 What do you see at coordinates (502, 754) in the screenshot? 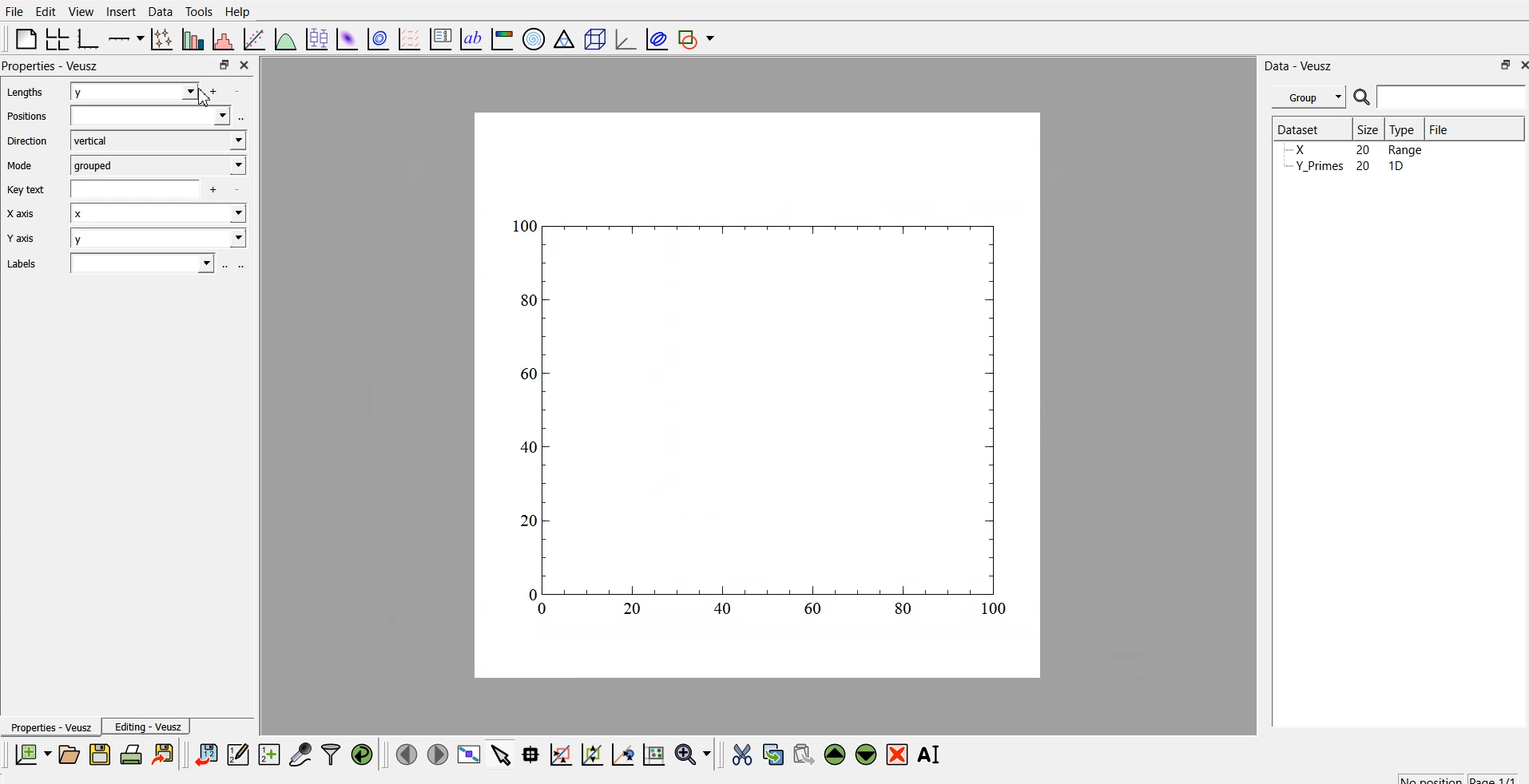
I see `select items from graph` at bounding box center [502, 754].